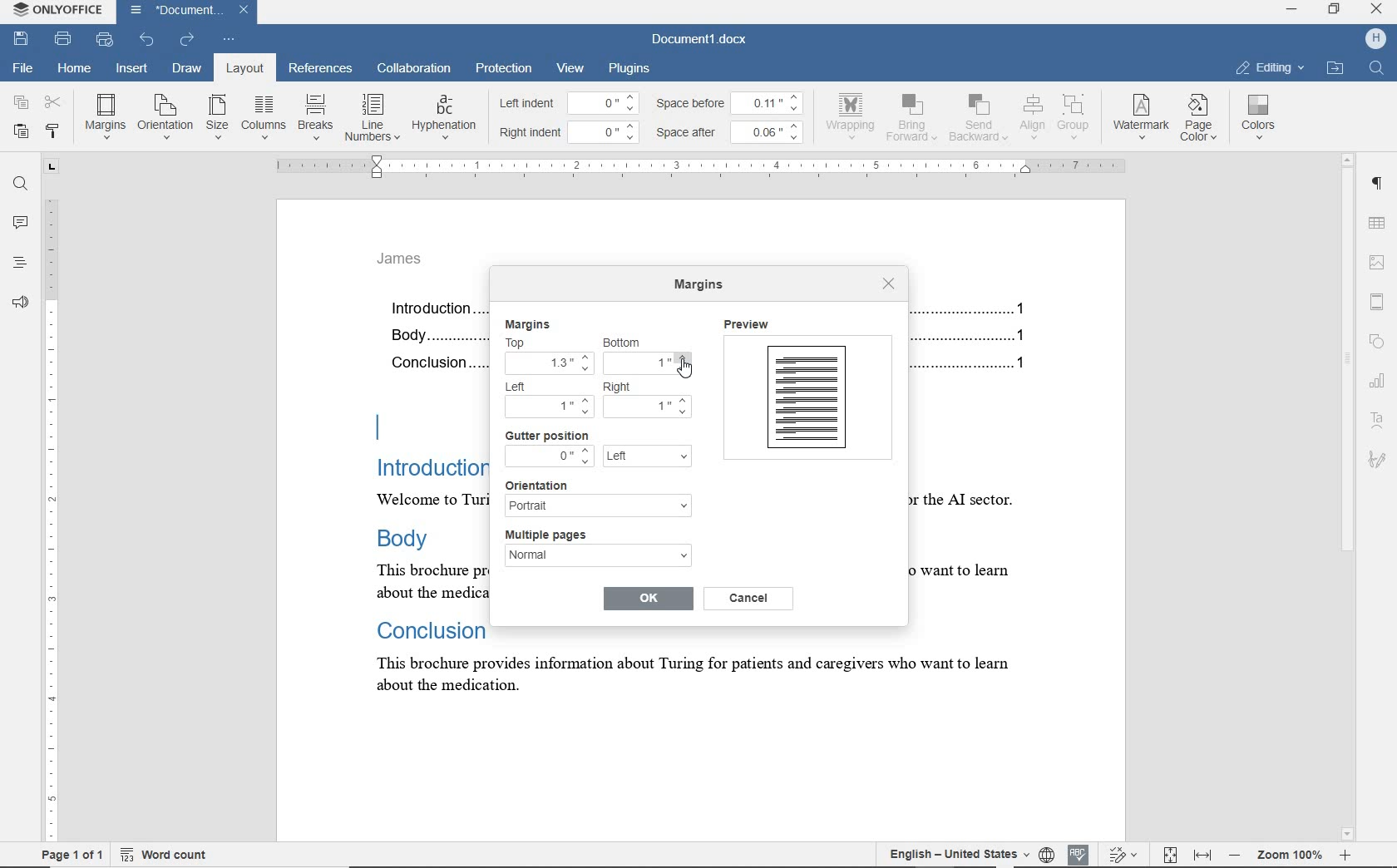  I want to click on fit to page, so click(1169, 853).